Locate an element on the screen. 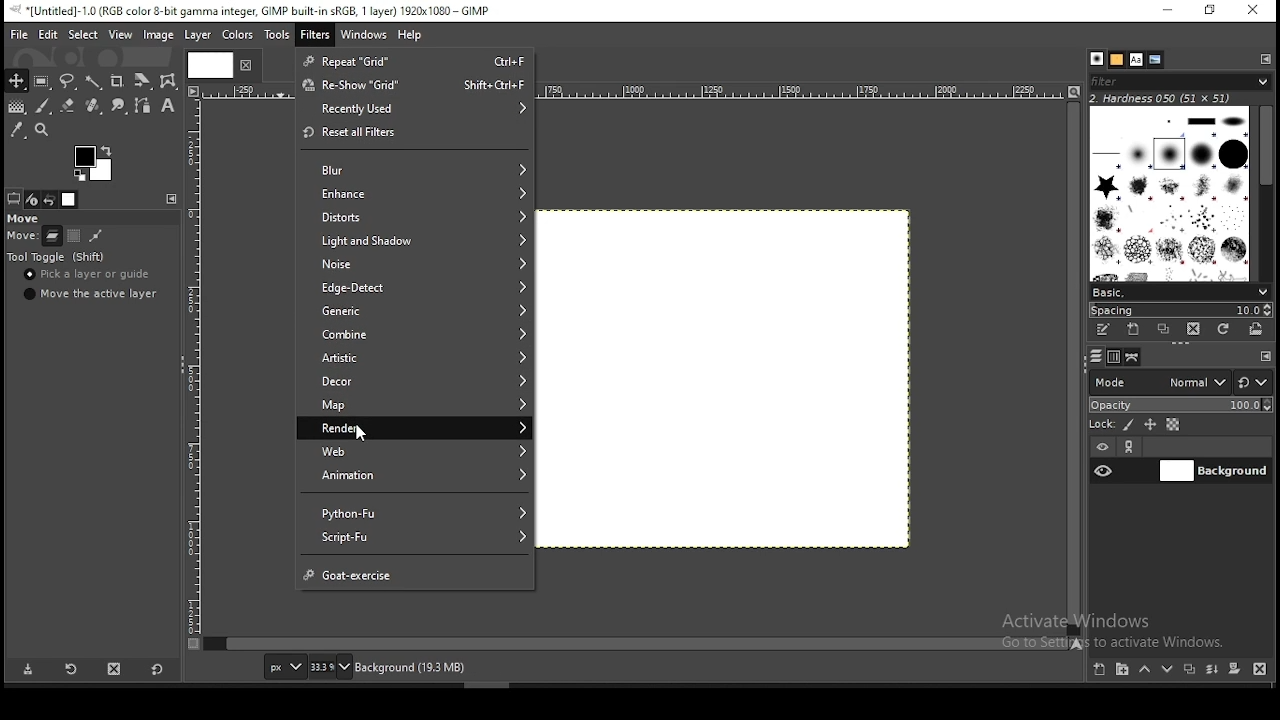 The width and height of the screenshot is (1280, 720). view is located at coordinates (120, 33).